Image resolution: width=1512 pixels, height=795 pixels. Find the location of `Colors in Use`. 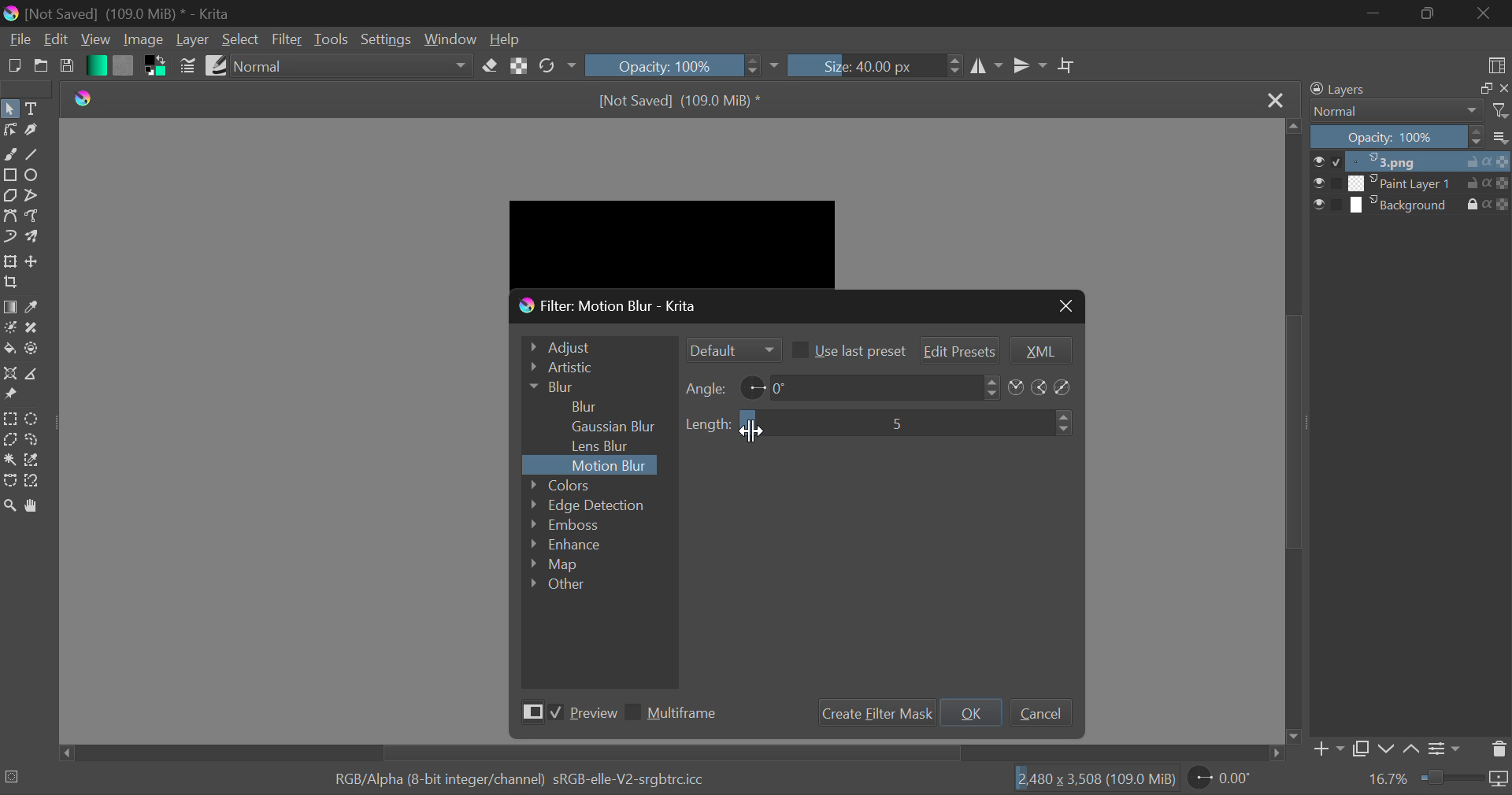

Colors in Use is located at coordinates (153, 68).